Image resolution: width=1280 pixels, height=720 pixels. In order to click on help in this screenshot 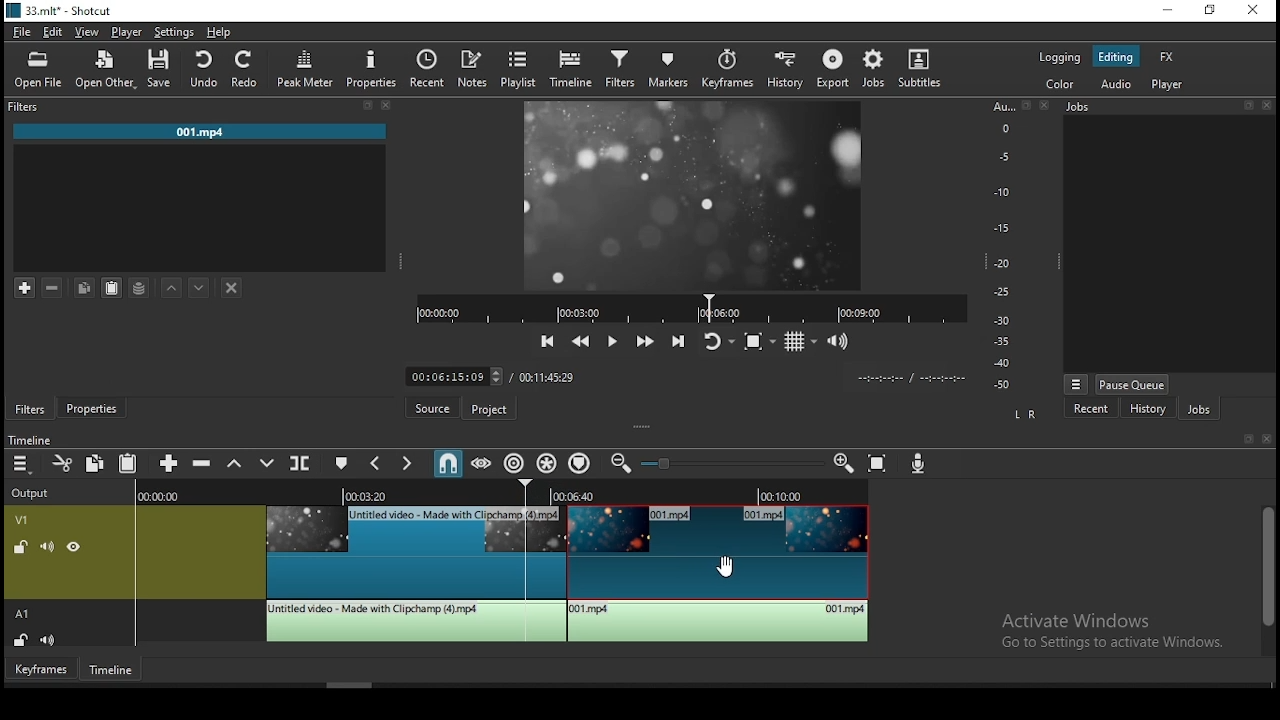, I will do `click(220, 32)`.